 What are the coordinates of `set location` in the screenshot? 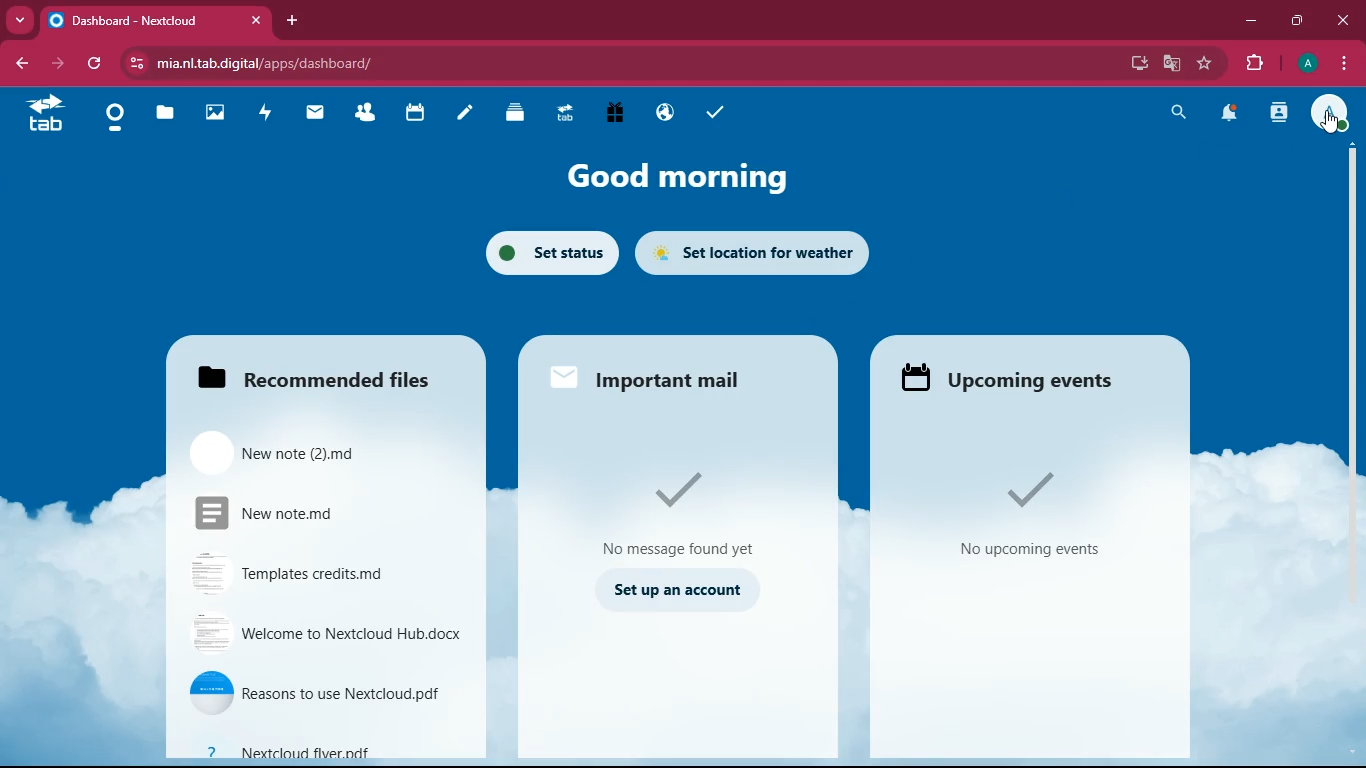 It's located at (753, 252).